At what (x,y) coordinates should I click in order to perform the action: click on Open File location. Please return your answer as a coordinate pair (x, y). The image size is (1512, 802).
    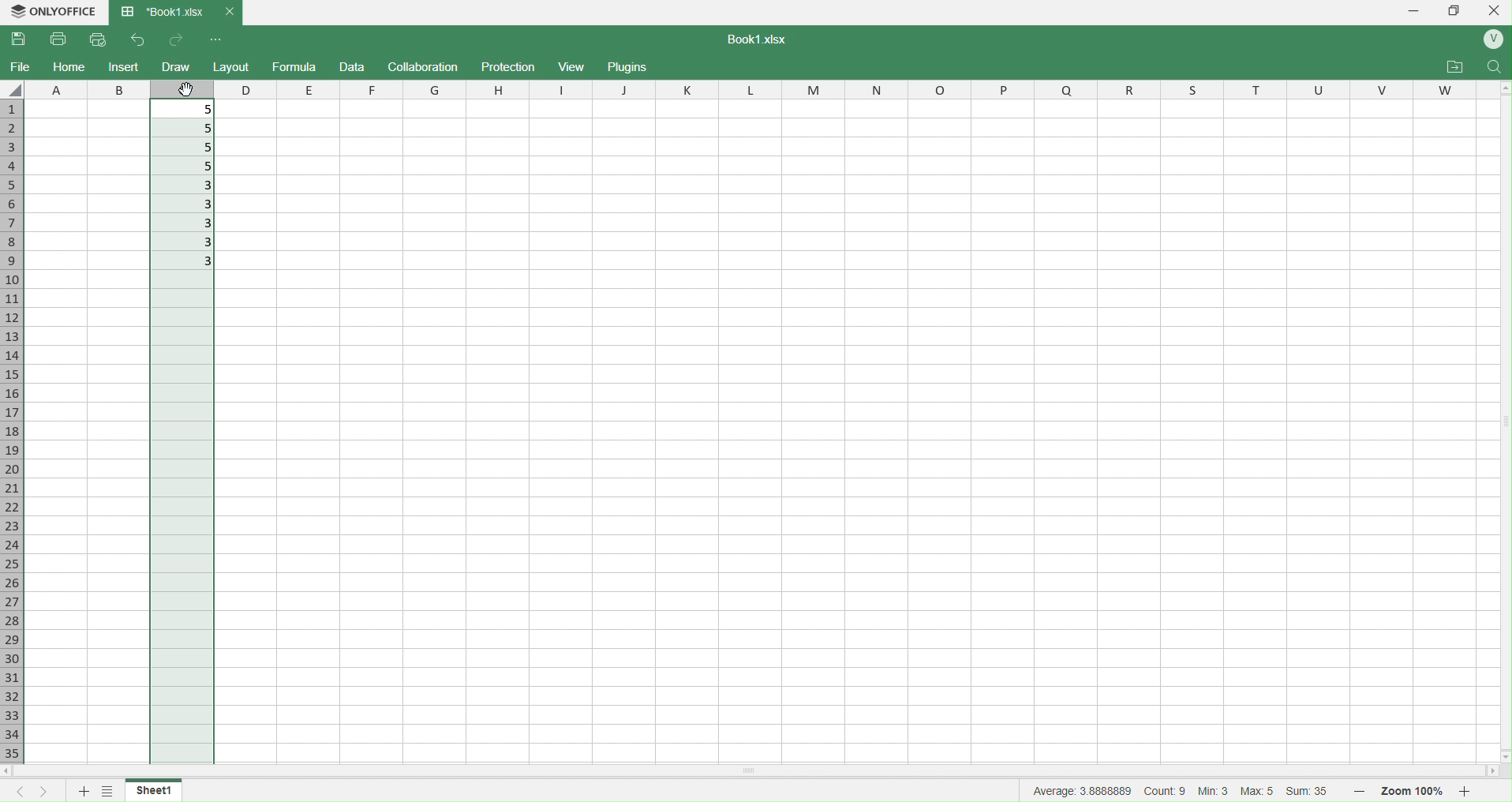
    Looking at the image, I should click on (1455, 67).